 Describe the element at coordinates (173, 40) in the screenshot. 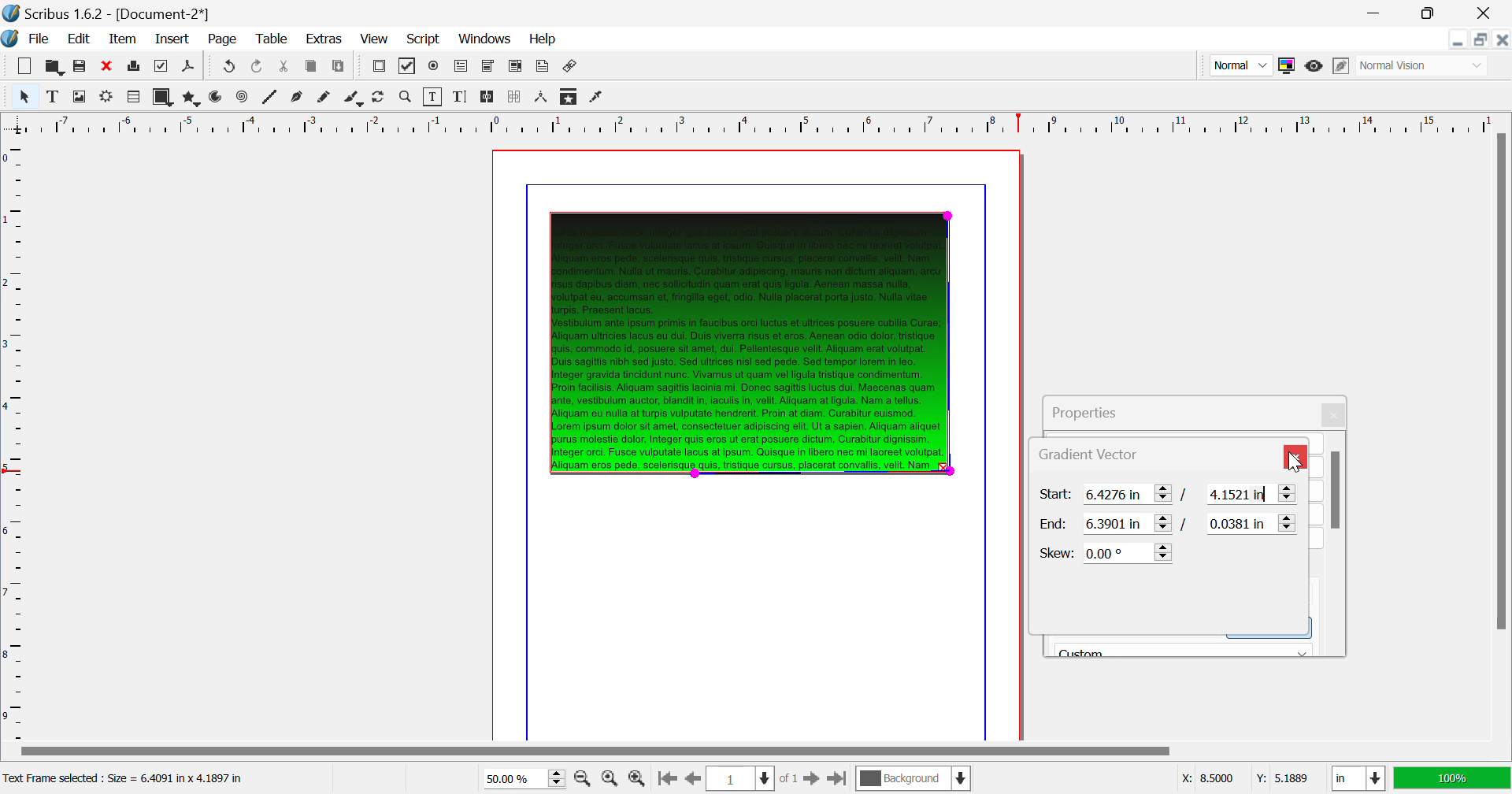

I see `Insert` at that location.